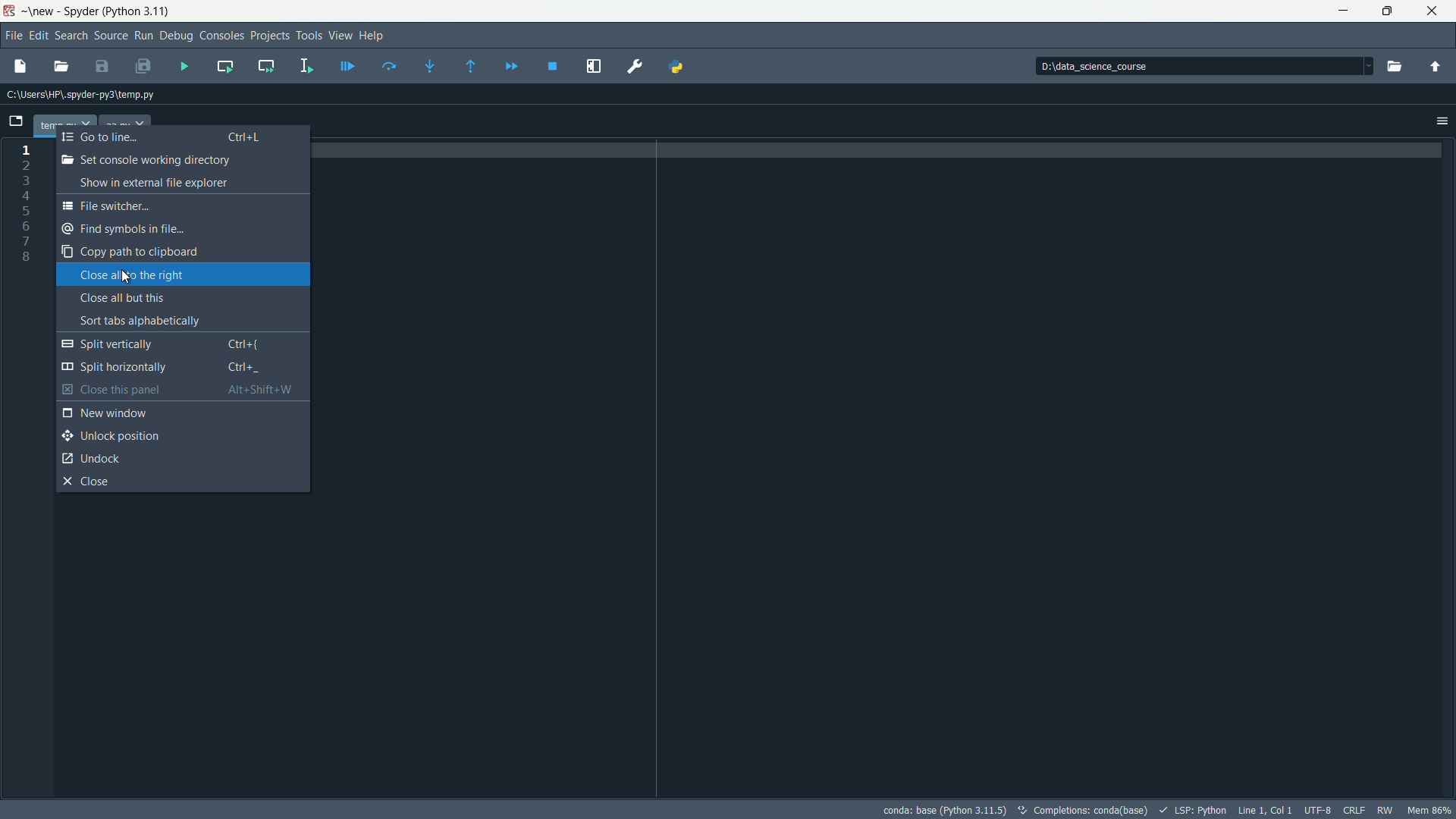 The image size is (1456, 819). What do you see at coordinates (149, 320) in the screenshot?
I see `sort tabs alphabetically` at bounding box center [149, 320].